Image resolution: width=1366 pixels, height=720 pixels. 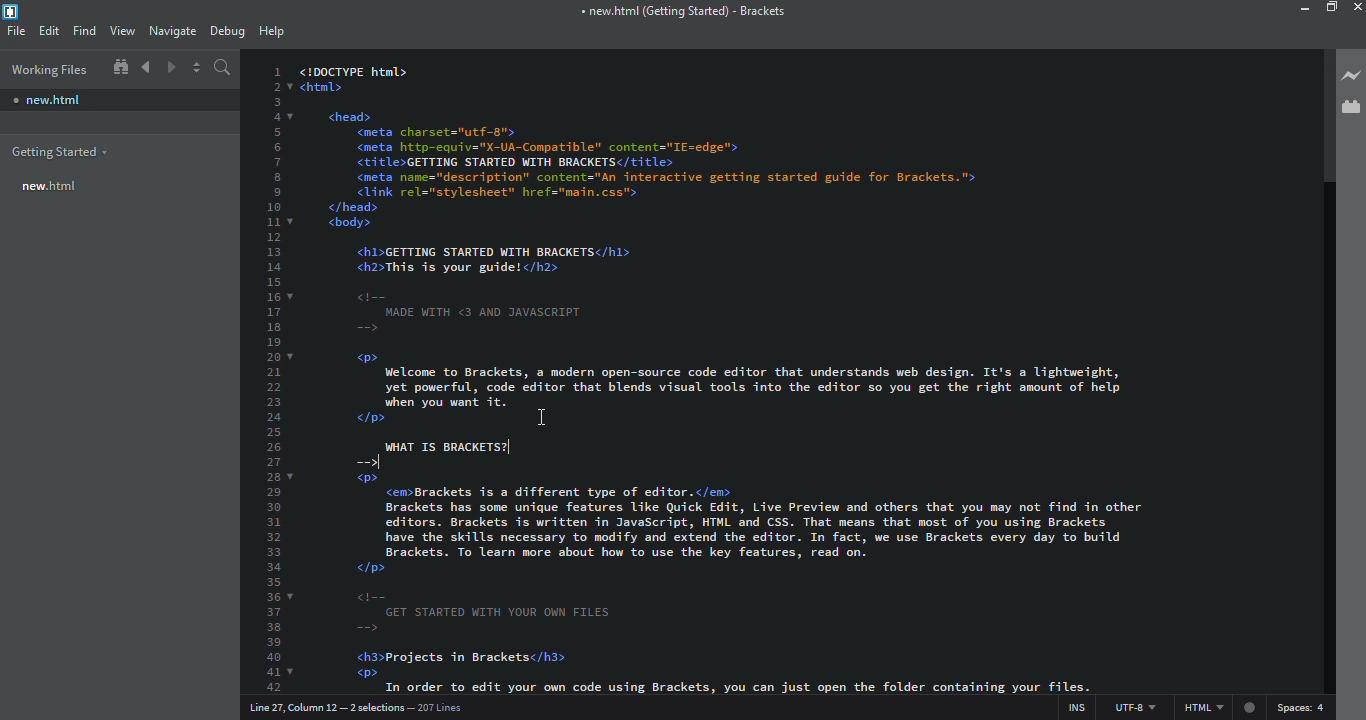 What do you see at coordinates (1305, 708) in the screenshot?
I see `spaces` at bounding box center [1305, 708].